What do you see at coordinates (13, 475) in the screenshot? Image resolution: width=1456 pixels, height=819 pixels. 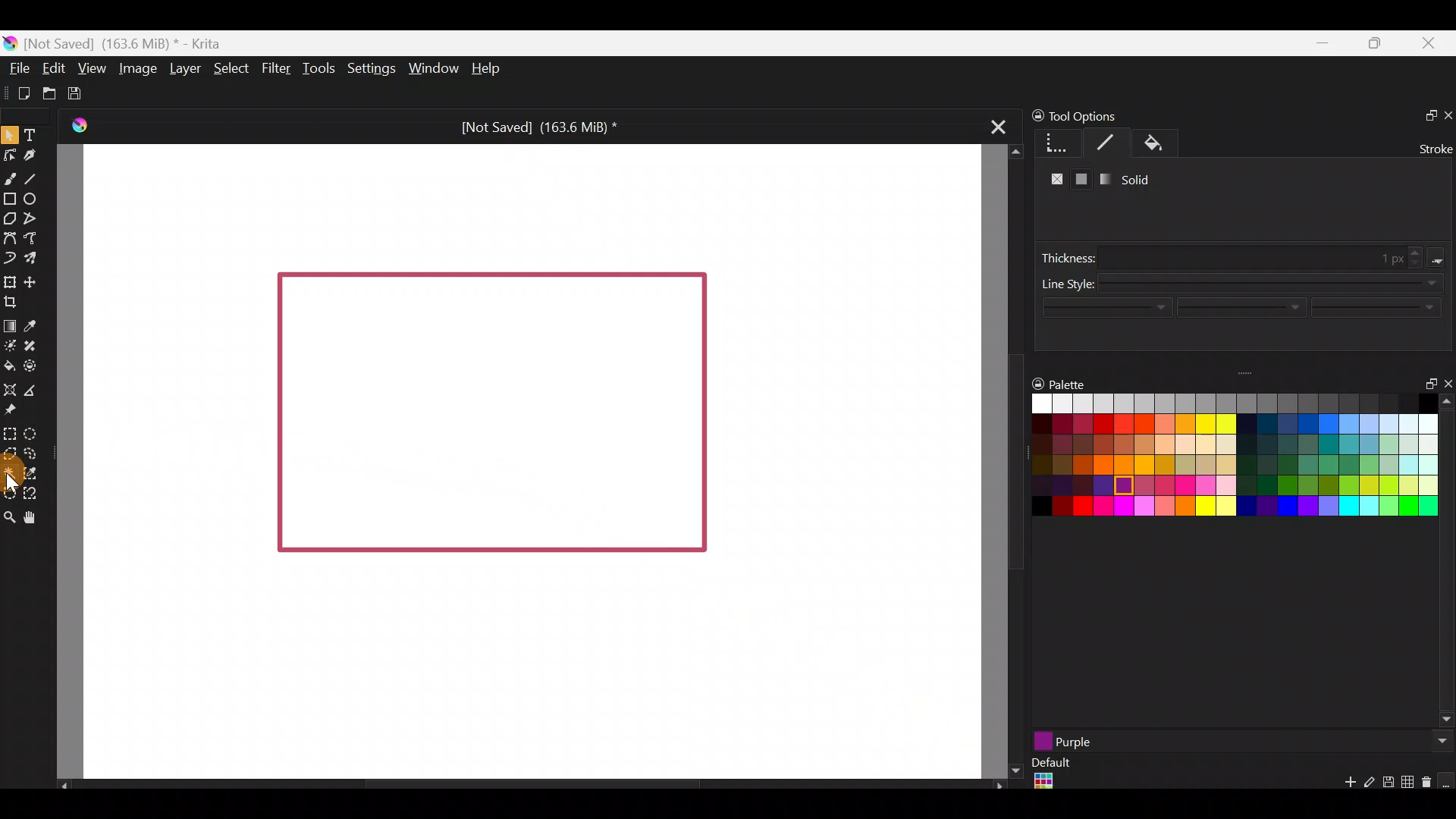 I see `Cursor` at bounding box center [13, 475].